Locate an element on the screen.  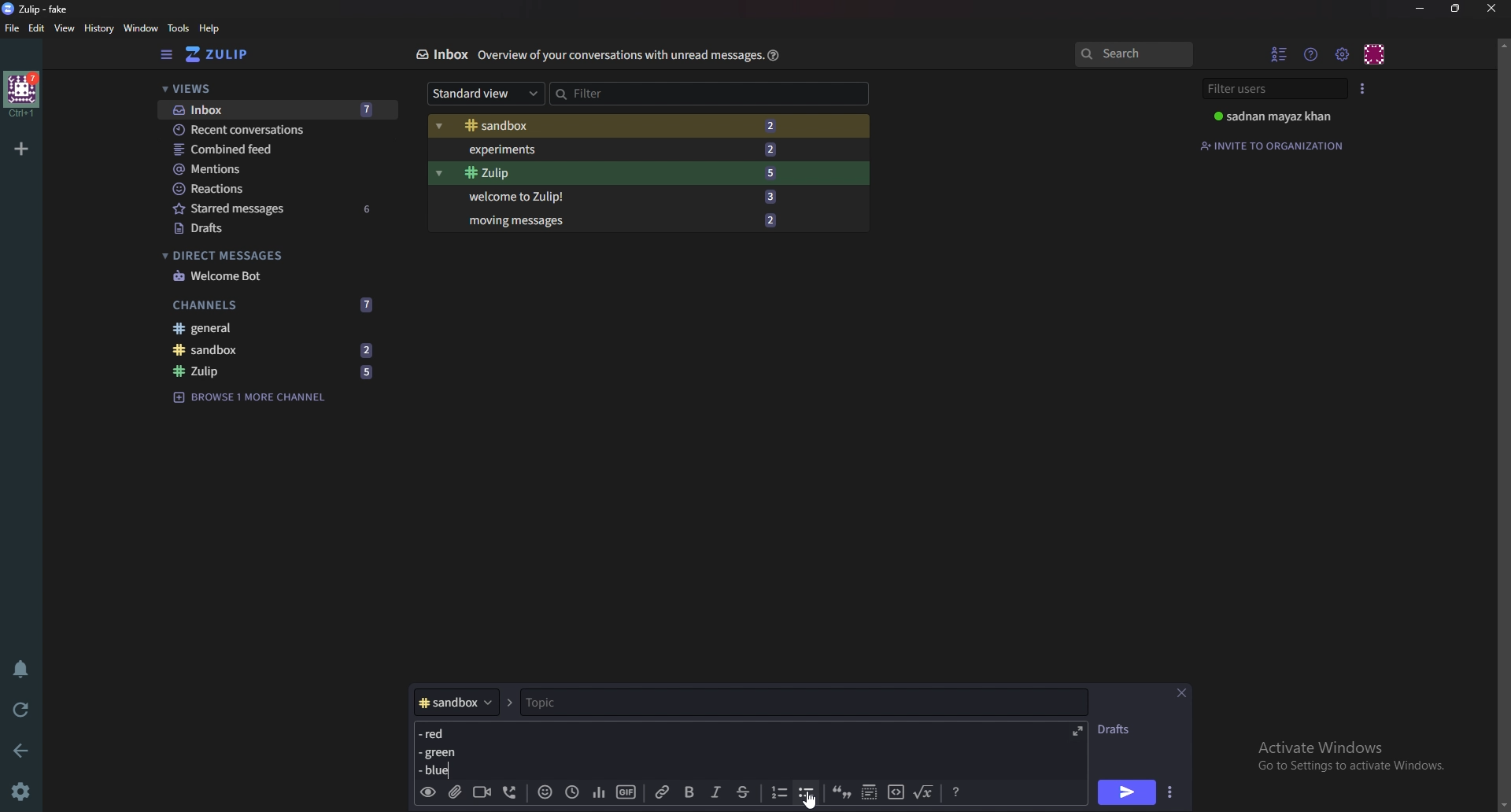
send is located at coordinates (1125, 794).